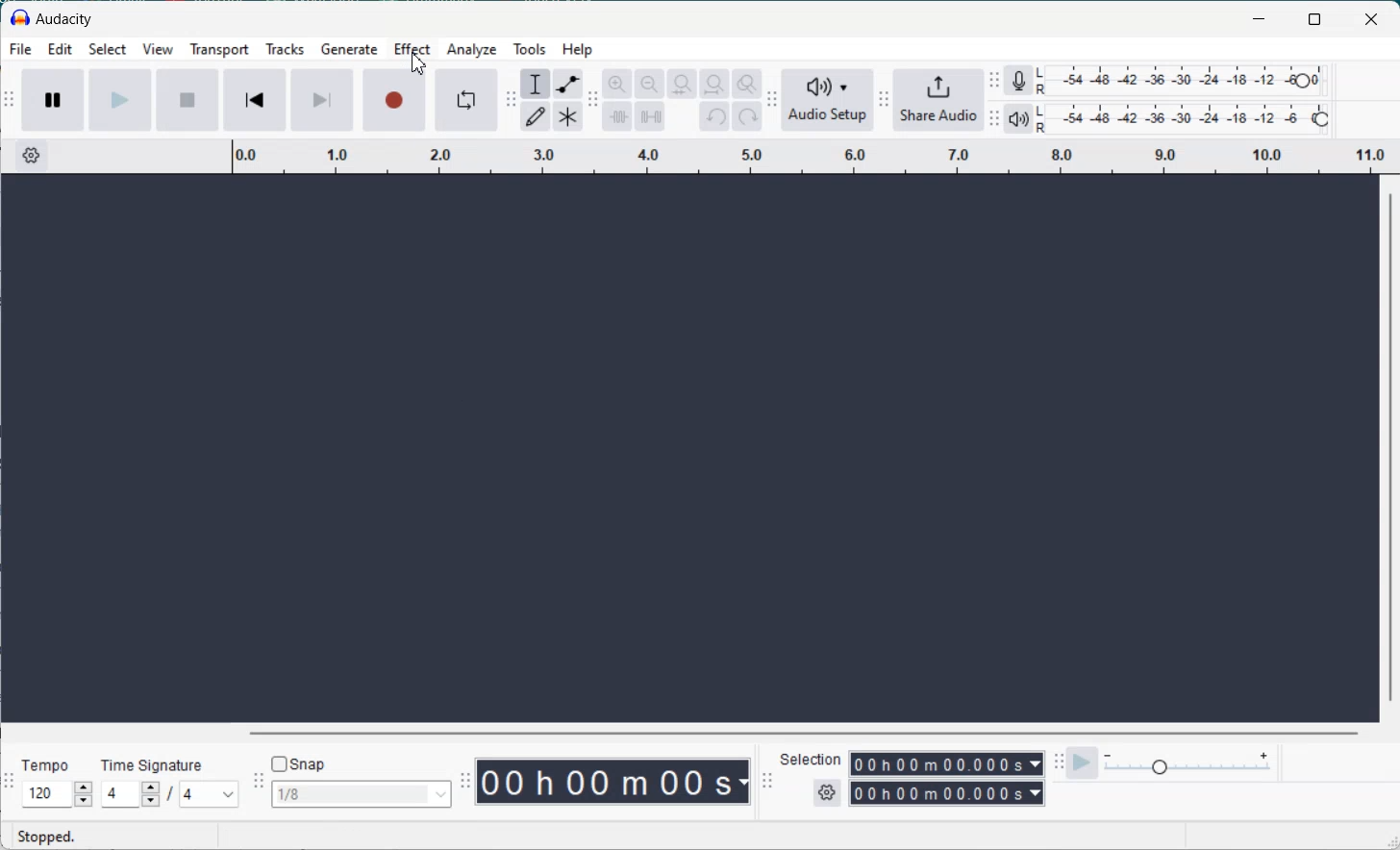  What do you see at coordinates (54, 19) in the screenshot?
I see `Audacity` at bounding box center [54, 19].